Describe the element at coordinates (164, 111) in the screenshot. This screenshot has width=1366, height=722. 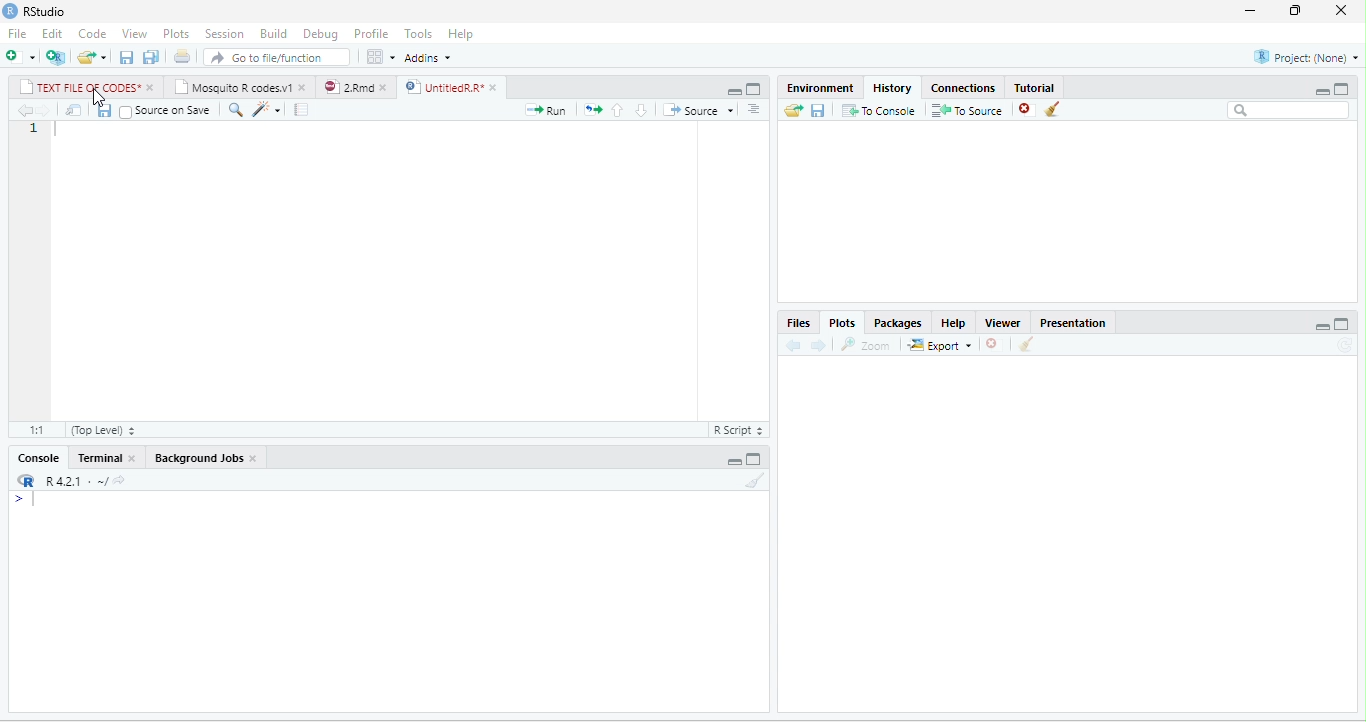
I see `Source on Save` at that location.